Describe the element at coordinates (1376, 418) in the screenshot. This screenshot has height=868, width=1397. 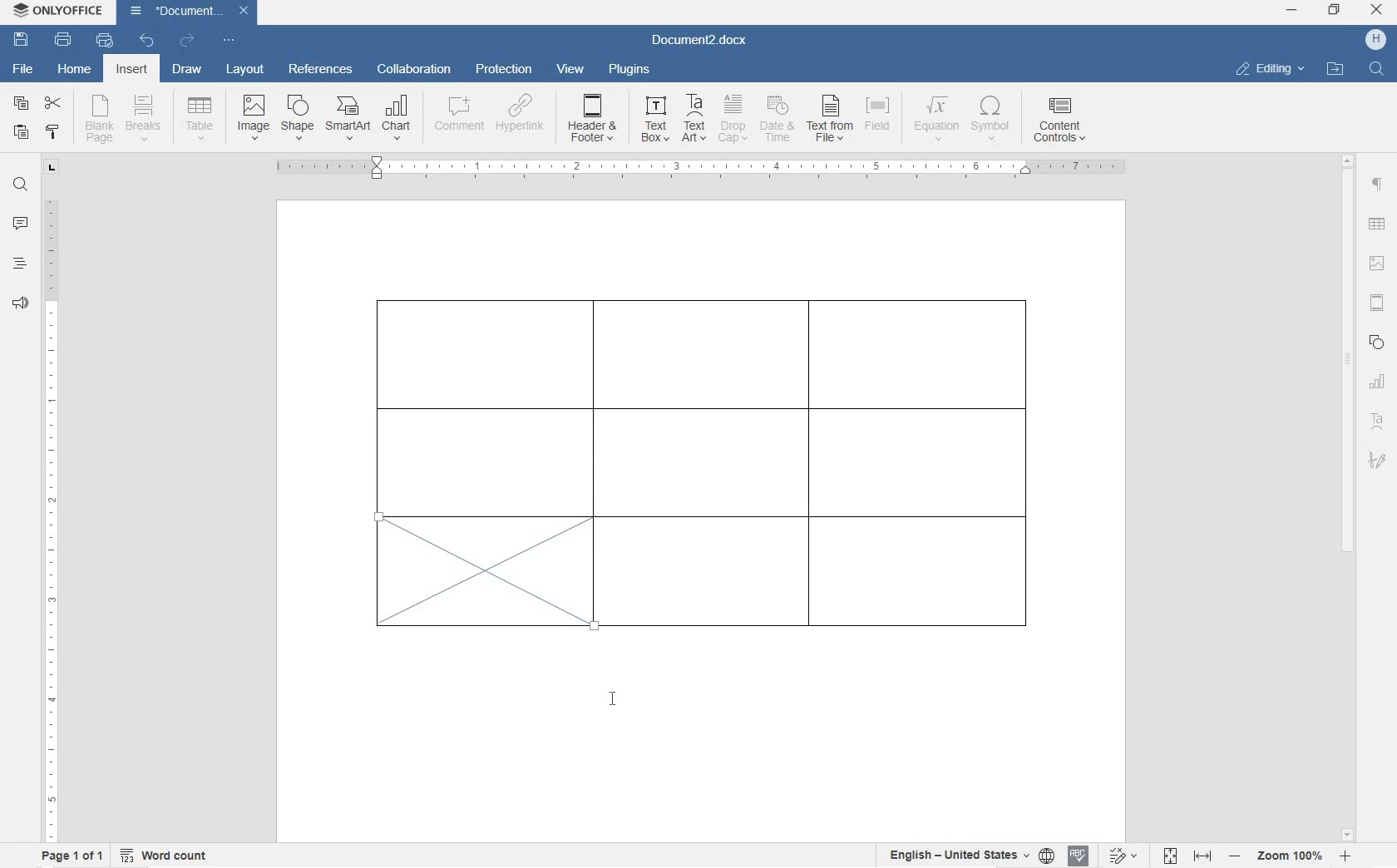
I see `textart` at that location.